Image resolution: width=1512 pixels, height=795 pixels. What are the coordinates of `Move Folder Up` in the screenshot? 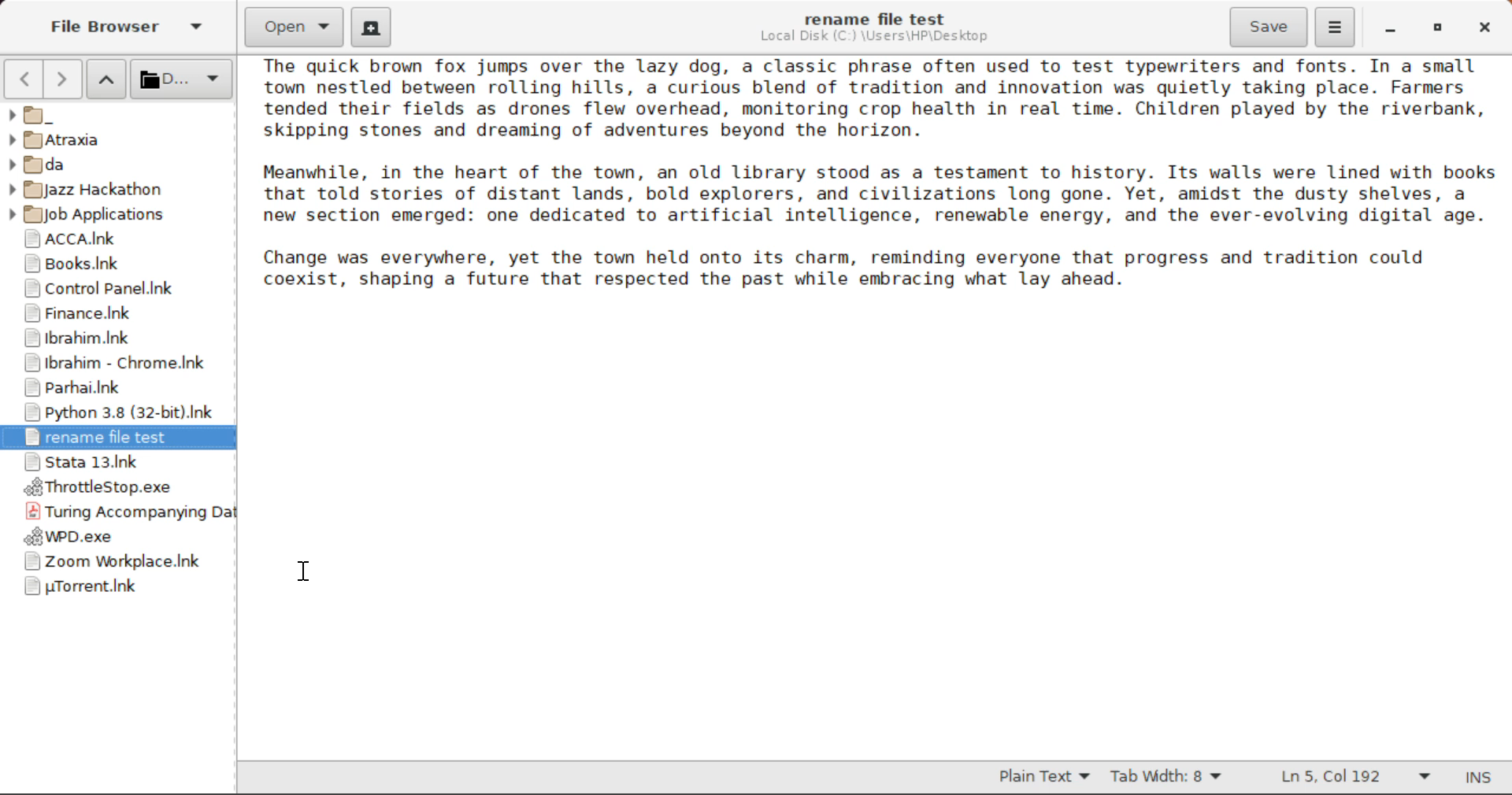 It's located at (107, 80).